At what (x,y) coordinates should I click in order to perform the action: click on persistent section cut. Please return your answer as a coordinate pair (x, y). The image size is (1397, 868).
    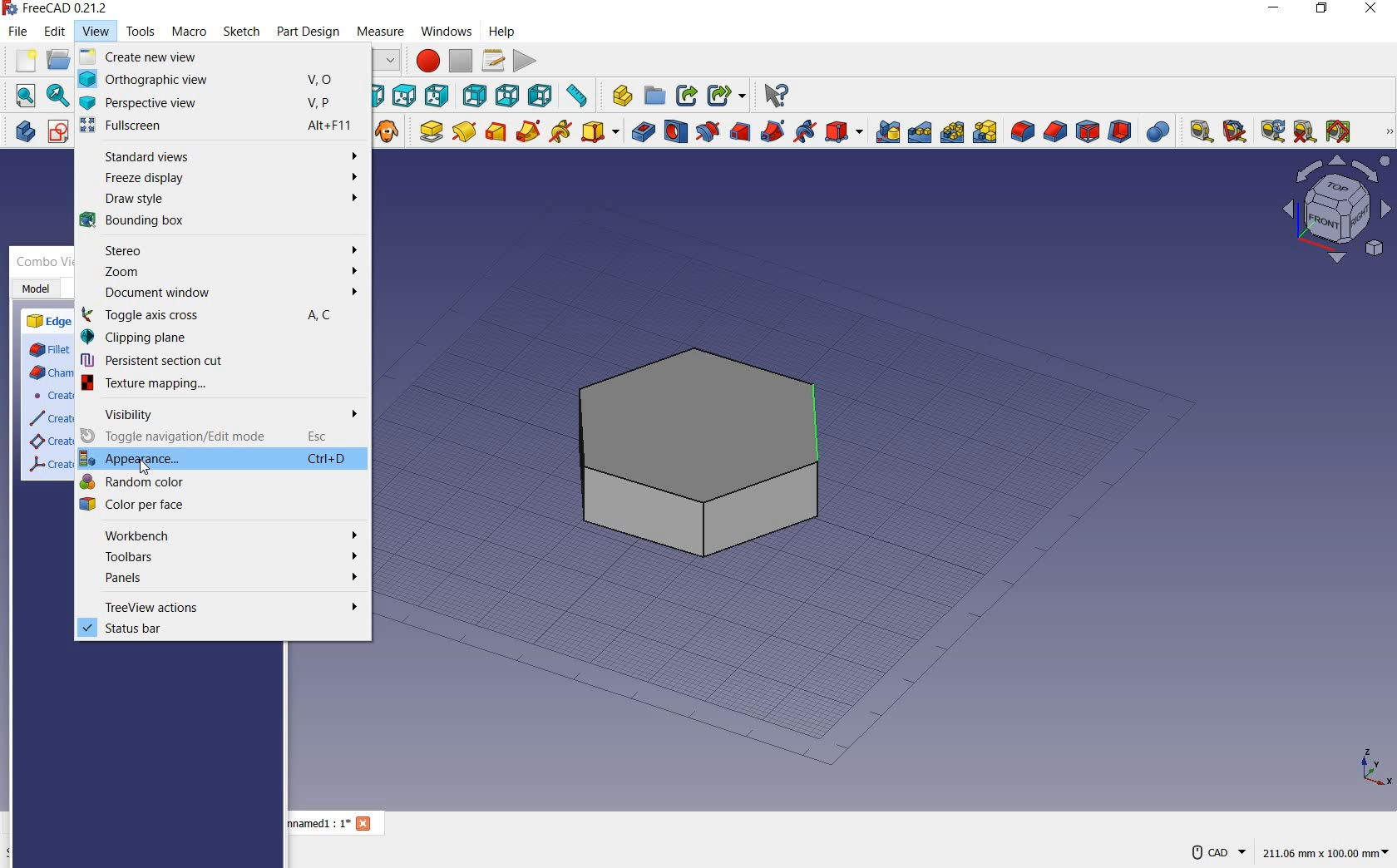
    Looking at the image, I should click on (219, 362).